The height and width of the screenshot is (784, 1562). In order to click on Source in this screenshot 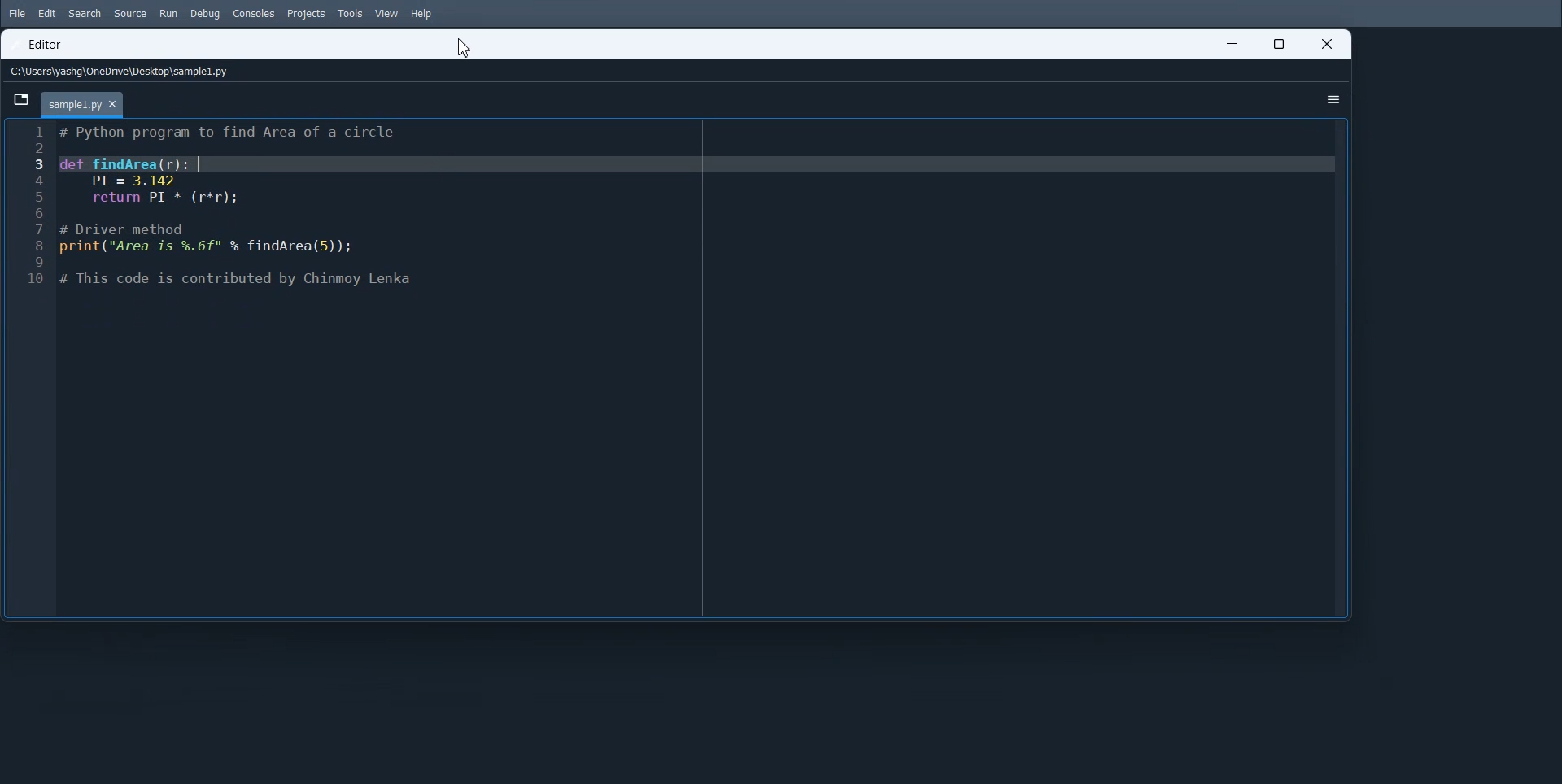, I will do `click(131, 14)`.